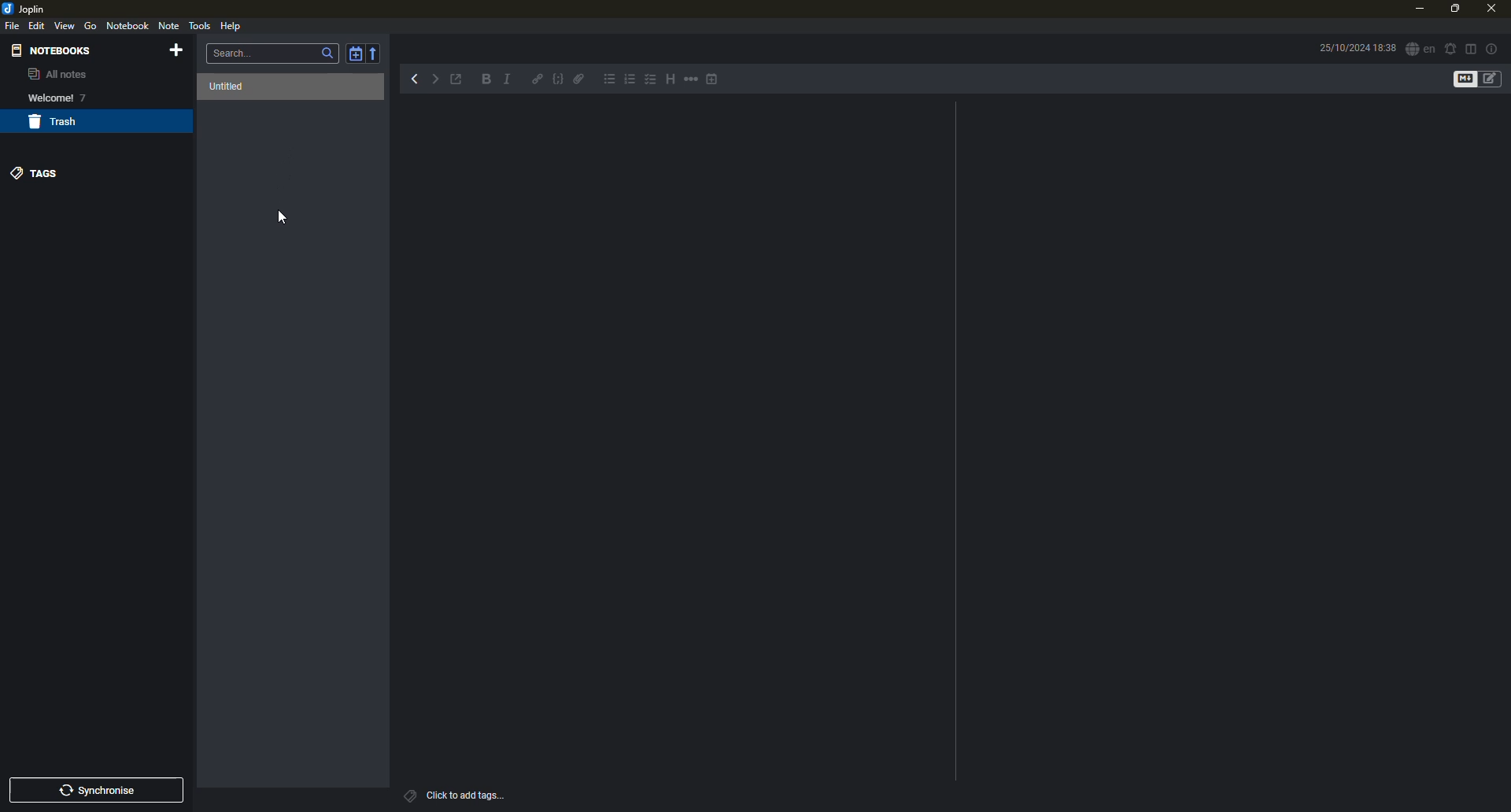 The width and height of the screenshot is (1511, 812). Describe the element at coordinates (57, 76) in the screenshot. I see `all notes` at that location.